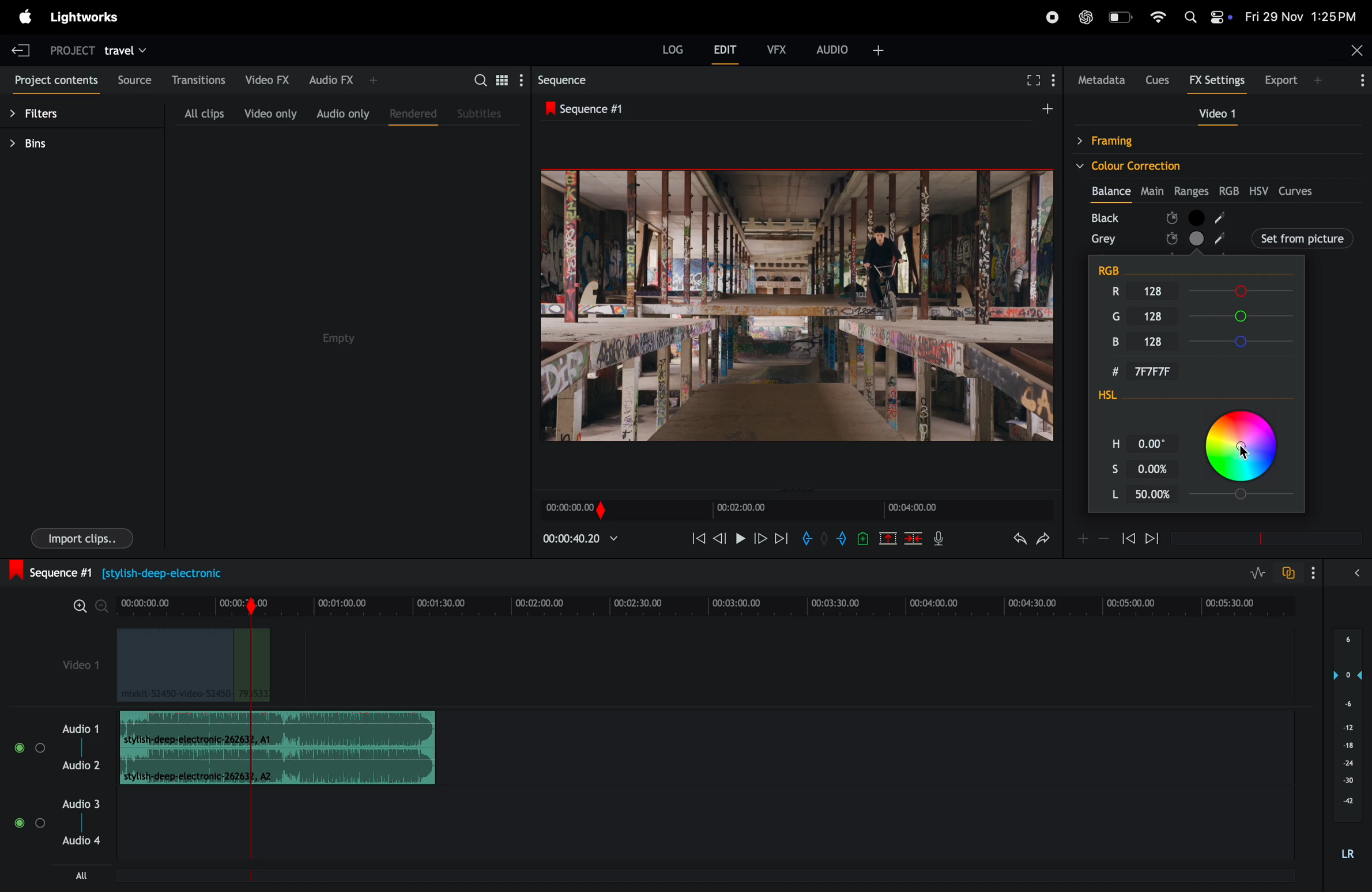  I want to click on curves, so click(1299, 191).